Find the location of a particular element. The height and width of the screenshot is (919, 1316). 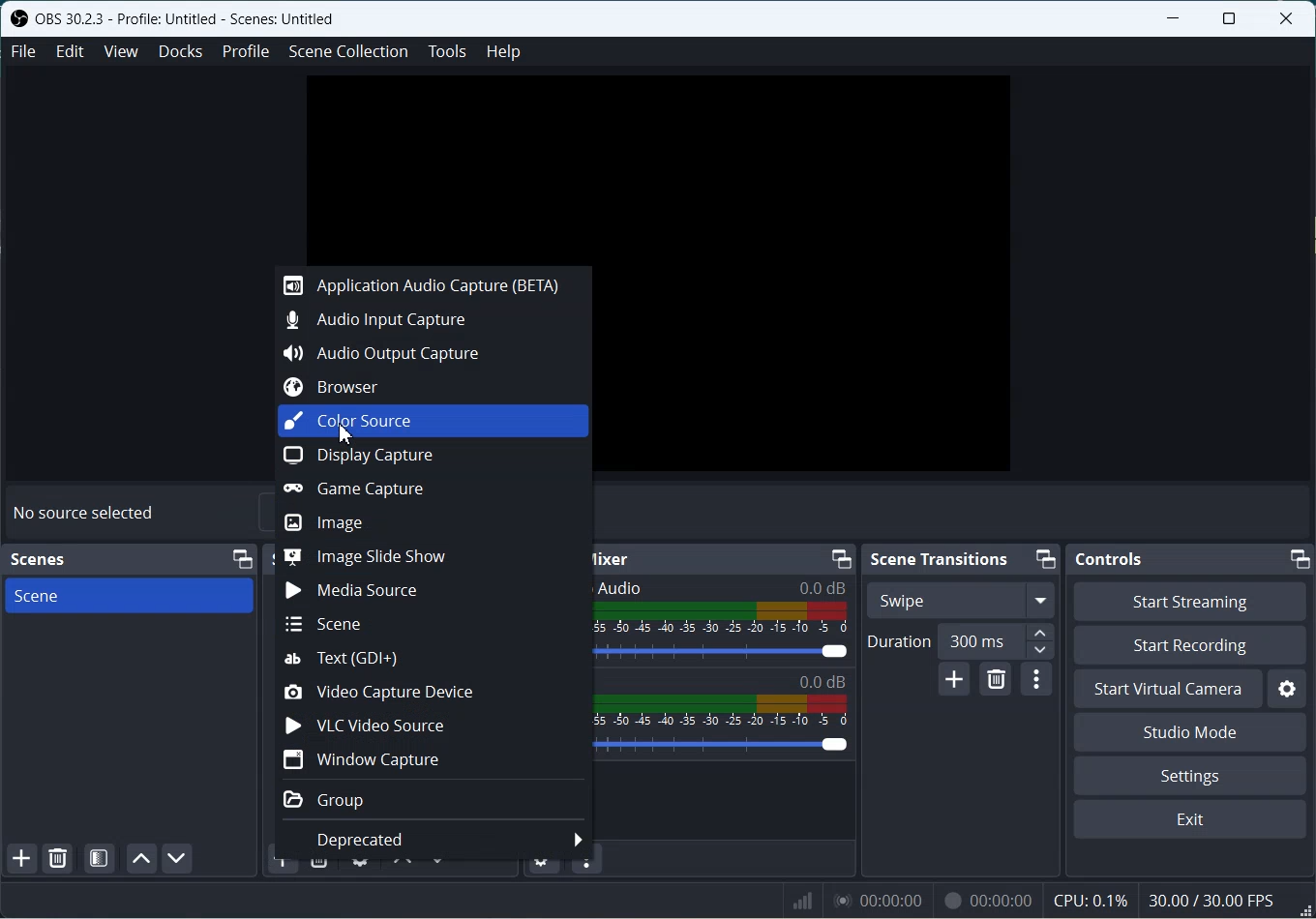

Minimize is located at coordinates (843, 558).